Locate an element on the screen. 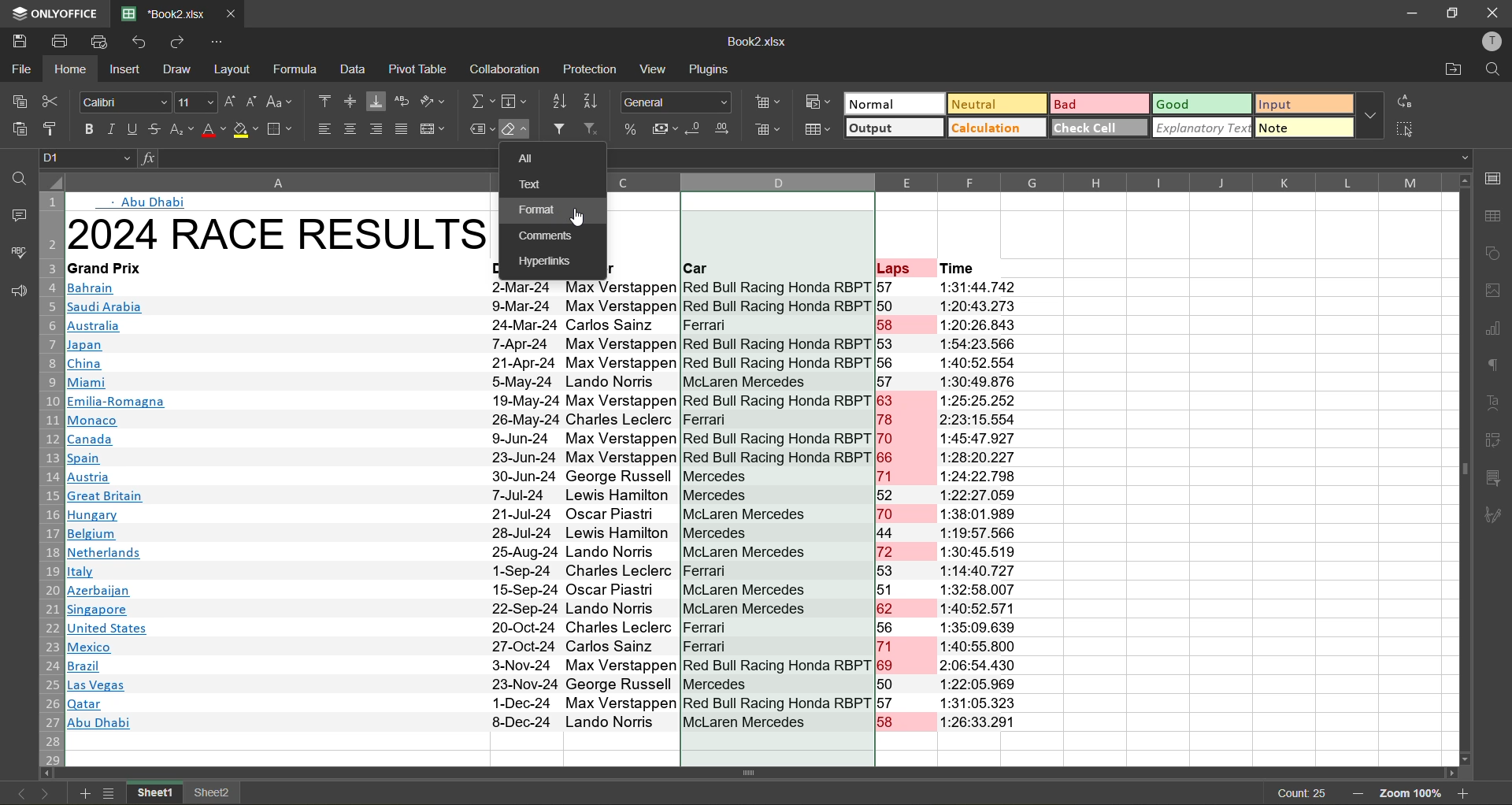 The image size is (1512, 805). open location is located at coordinates (1452, 71).